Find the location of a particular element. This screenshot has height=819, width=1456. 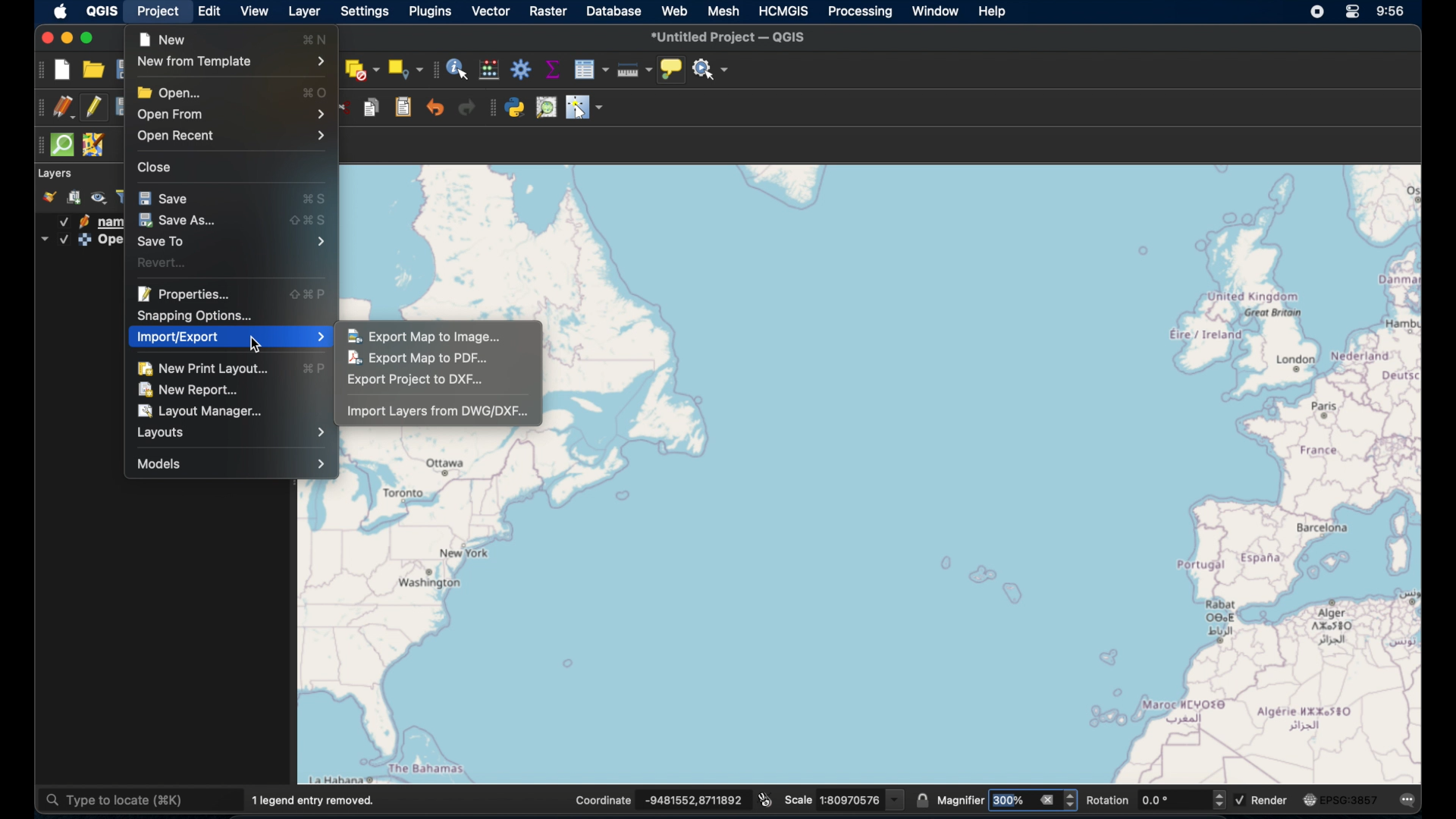

drag handles is located at coordinates (36, 147).